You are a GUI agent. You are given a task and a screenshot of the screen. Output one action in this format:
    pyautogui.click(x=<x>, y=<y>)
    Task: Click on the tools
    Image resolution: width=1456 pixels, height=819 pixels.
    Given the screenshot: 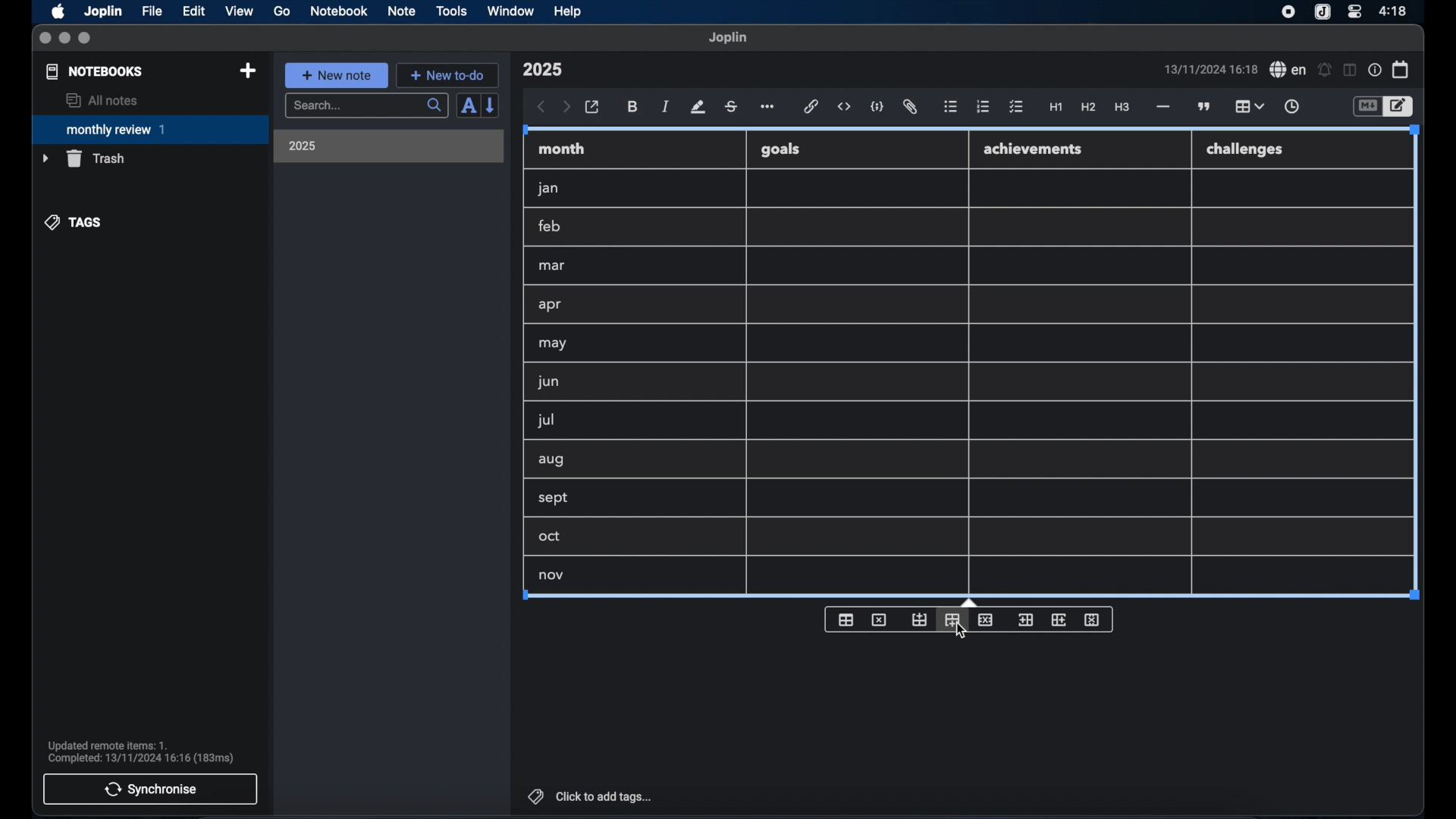 What is the action you would take?
    pyautogui.click(x=451, y=11)
    